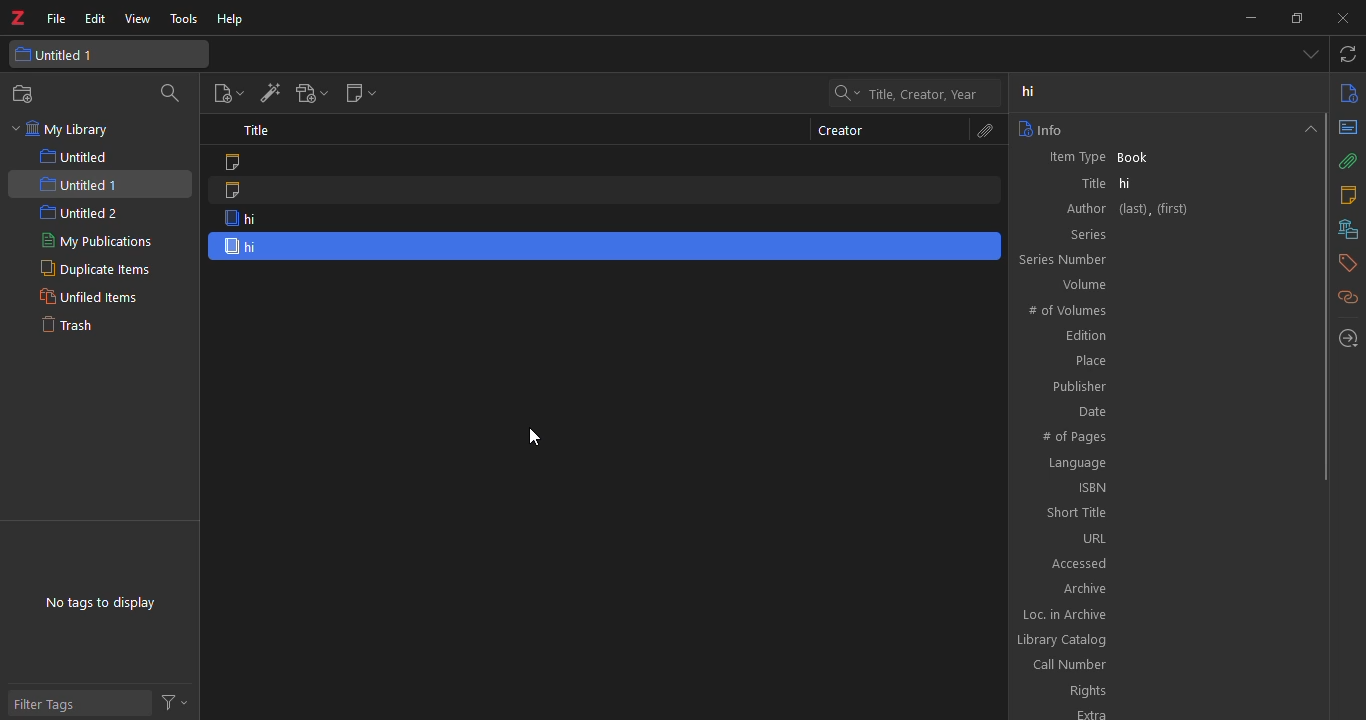 The image size is (1366, 720). Describe the element at coordinates (362, 93) in the screenshot. I see `new note` at that location.